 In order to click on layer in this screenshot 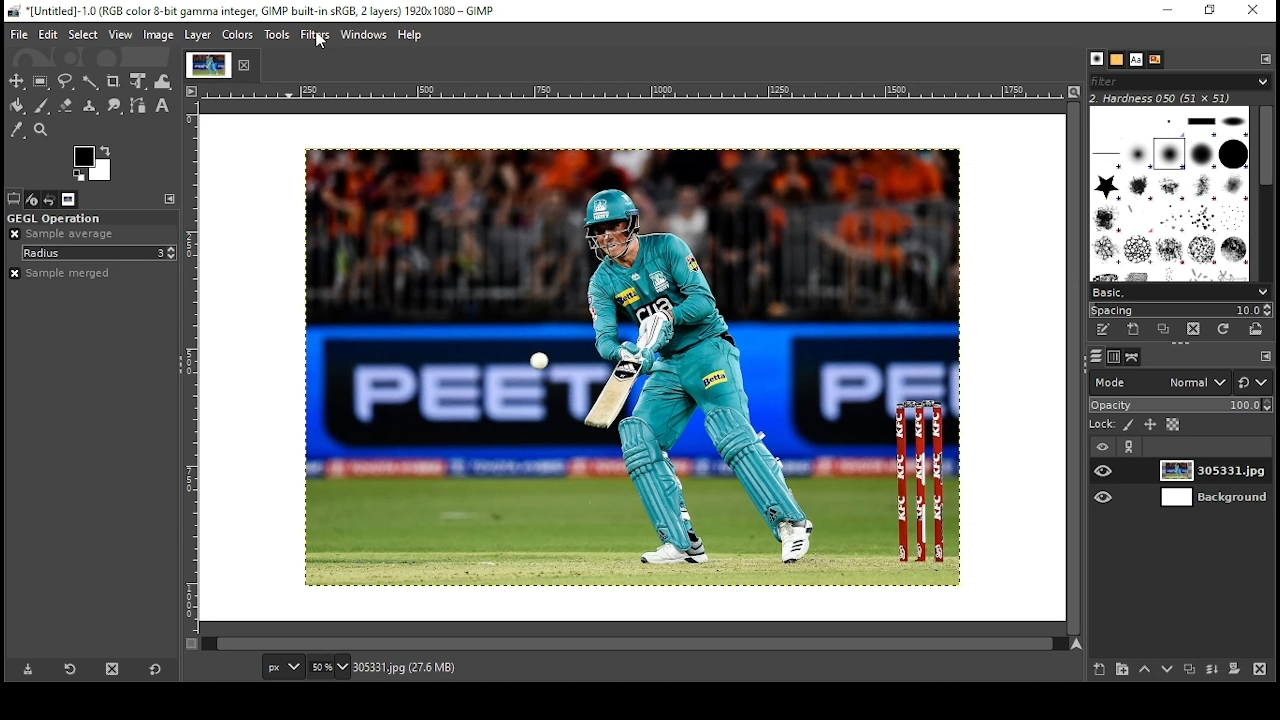, I will do `click(199, 35)`.